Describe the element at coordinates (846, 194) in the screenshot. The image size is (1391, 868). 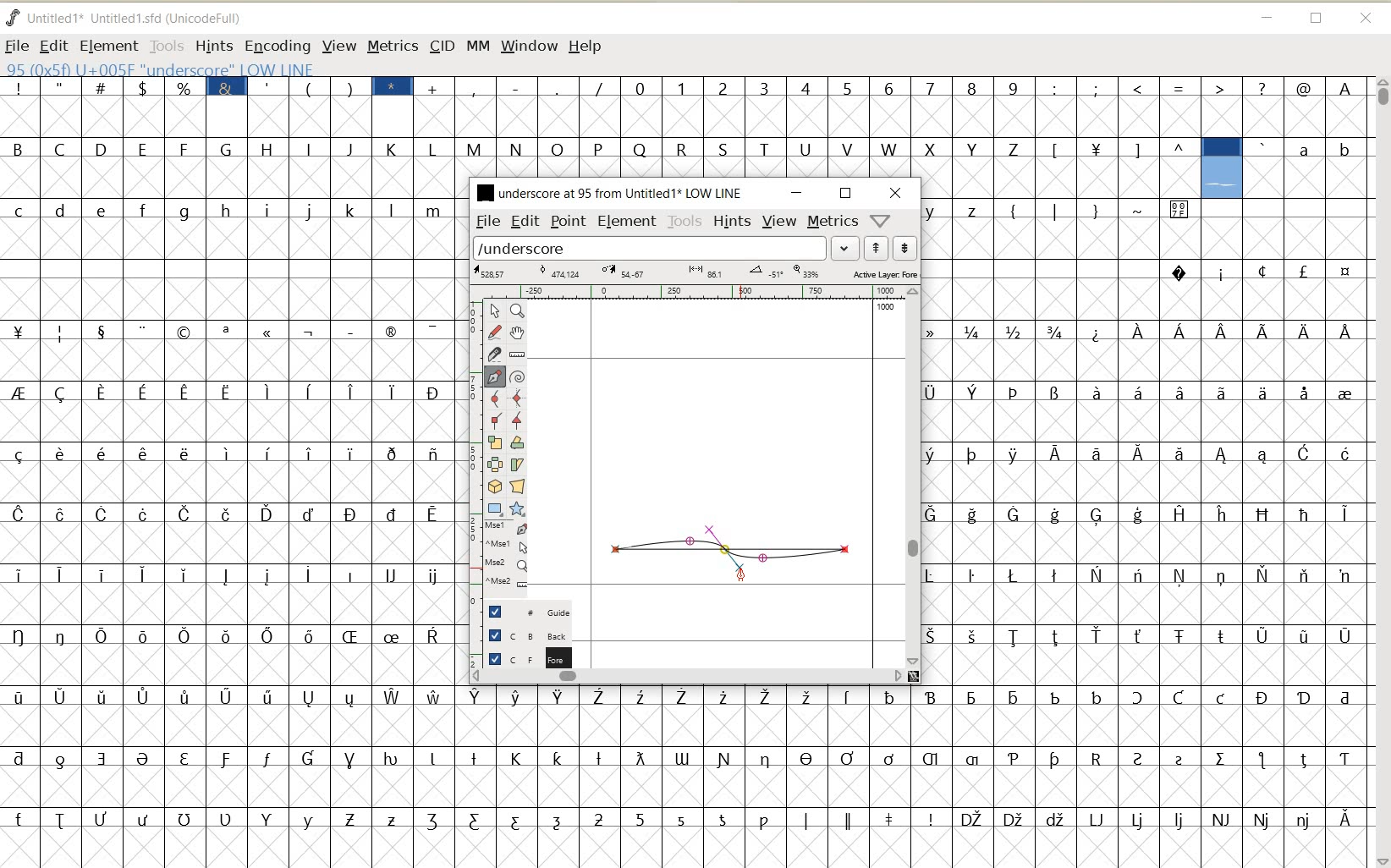
I see `RESTORE` at that location.